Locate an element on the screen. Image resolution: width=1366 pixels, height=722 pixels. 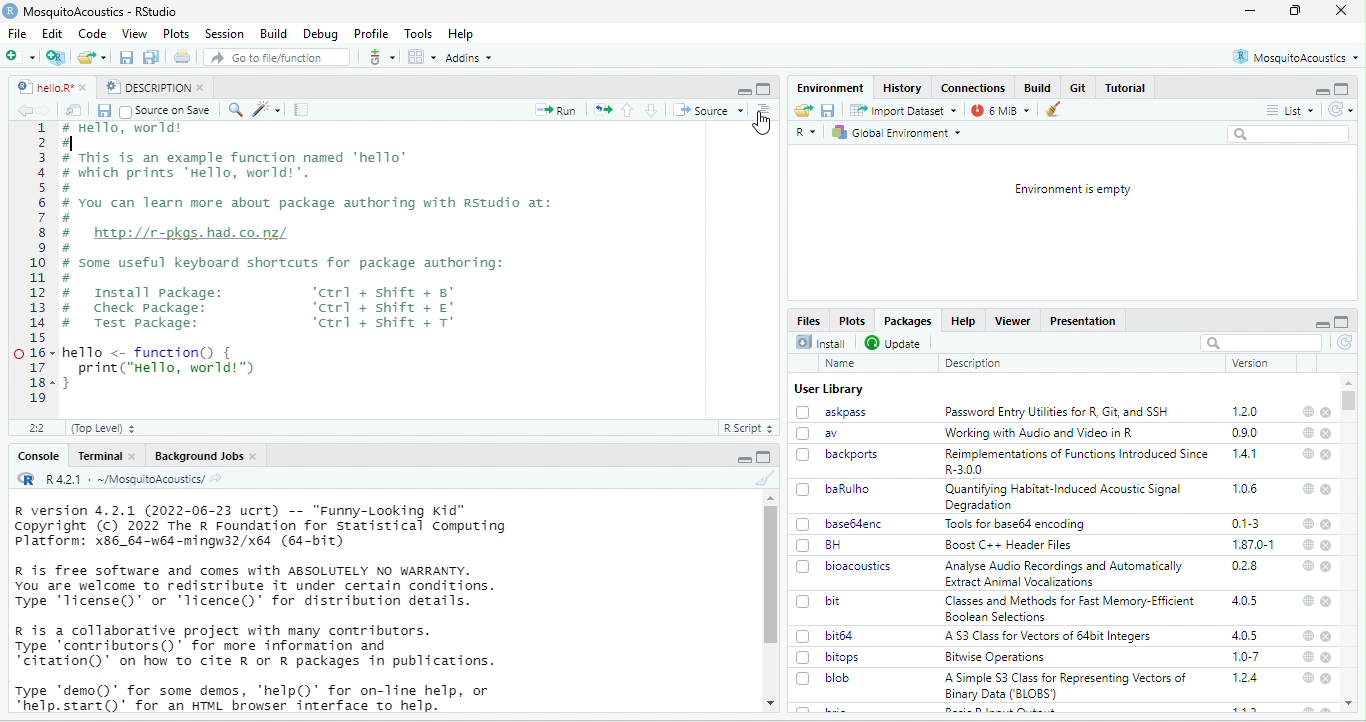
close is located at coordinates (1326, 412).